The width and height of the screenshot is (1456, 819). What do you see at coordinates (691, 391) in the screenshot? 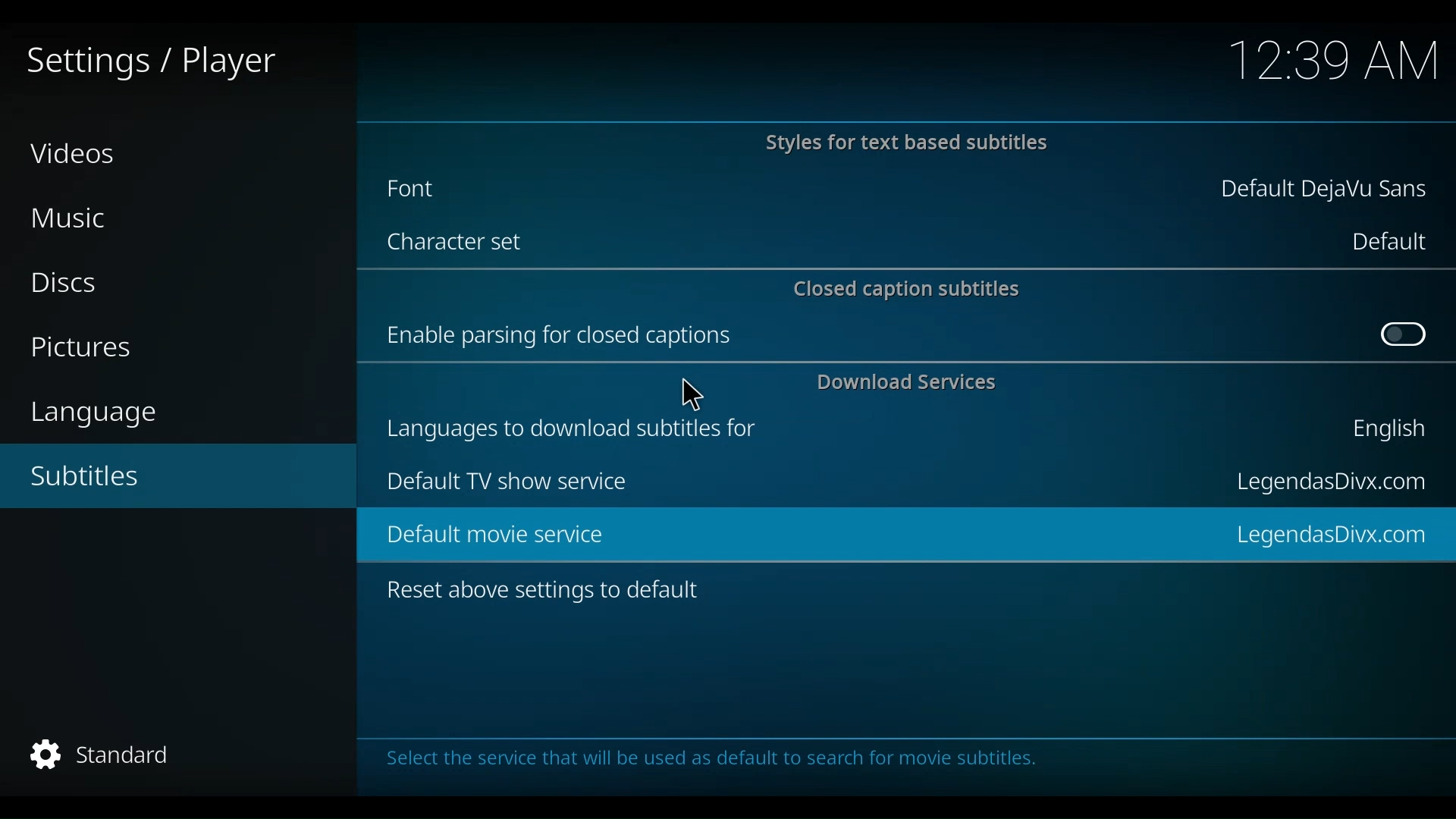
I see `cursor` at bounding box center [691, 391].